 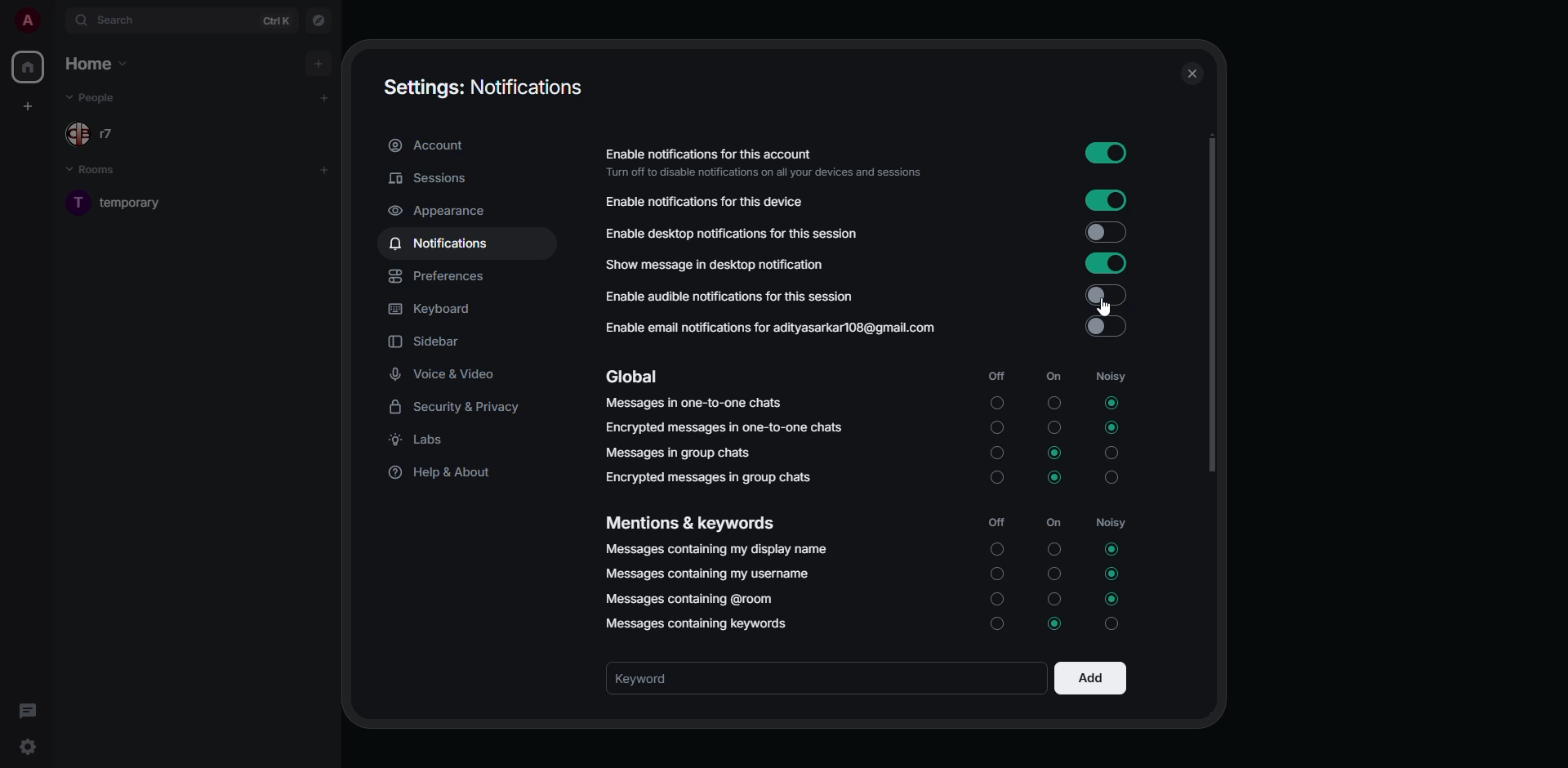 What do you see at coordinates (776, 328) in the screenshot?
I see `enable email notifications` at bounding box center [776, 328].